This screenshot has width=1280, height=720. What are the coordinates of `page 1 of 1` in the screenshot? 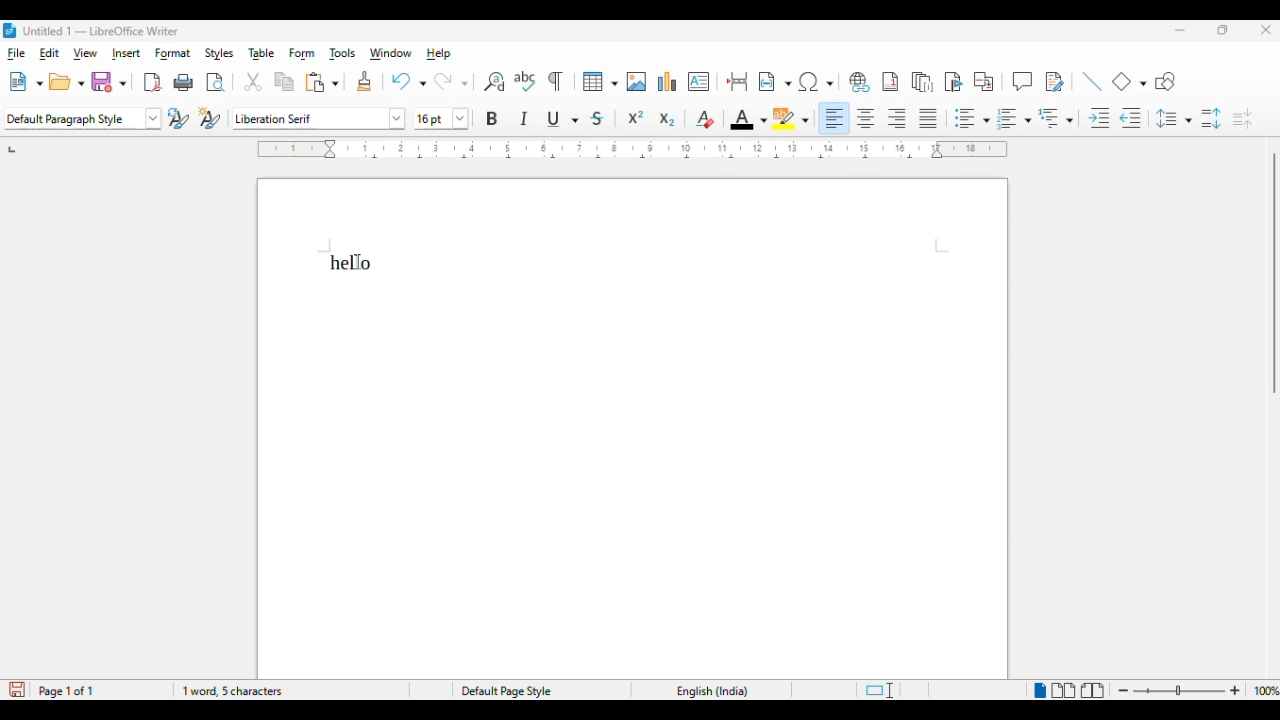 It's located at (66, 691).